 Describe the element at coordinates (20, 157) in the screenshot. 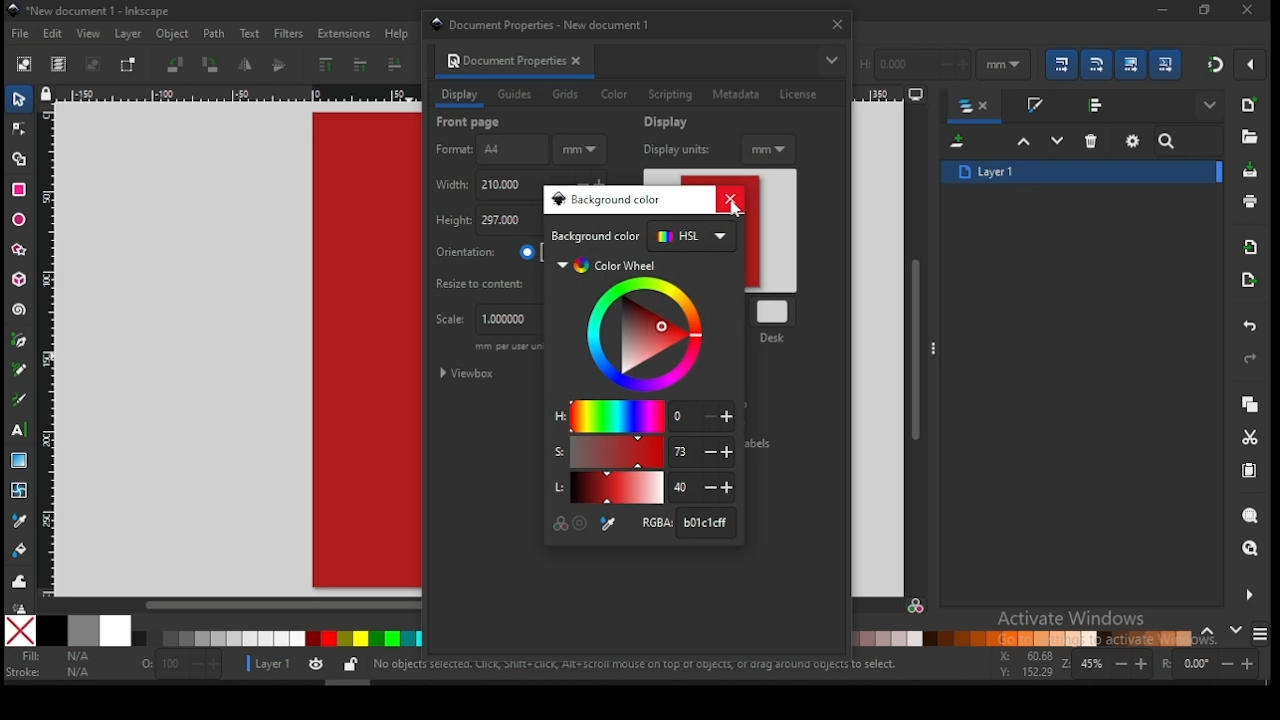

I see `shape builder tool` at that location.